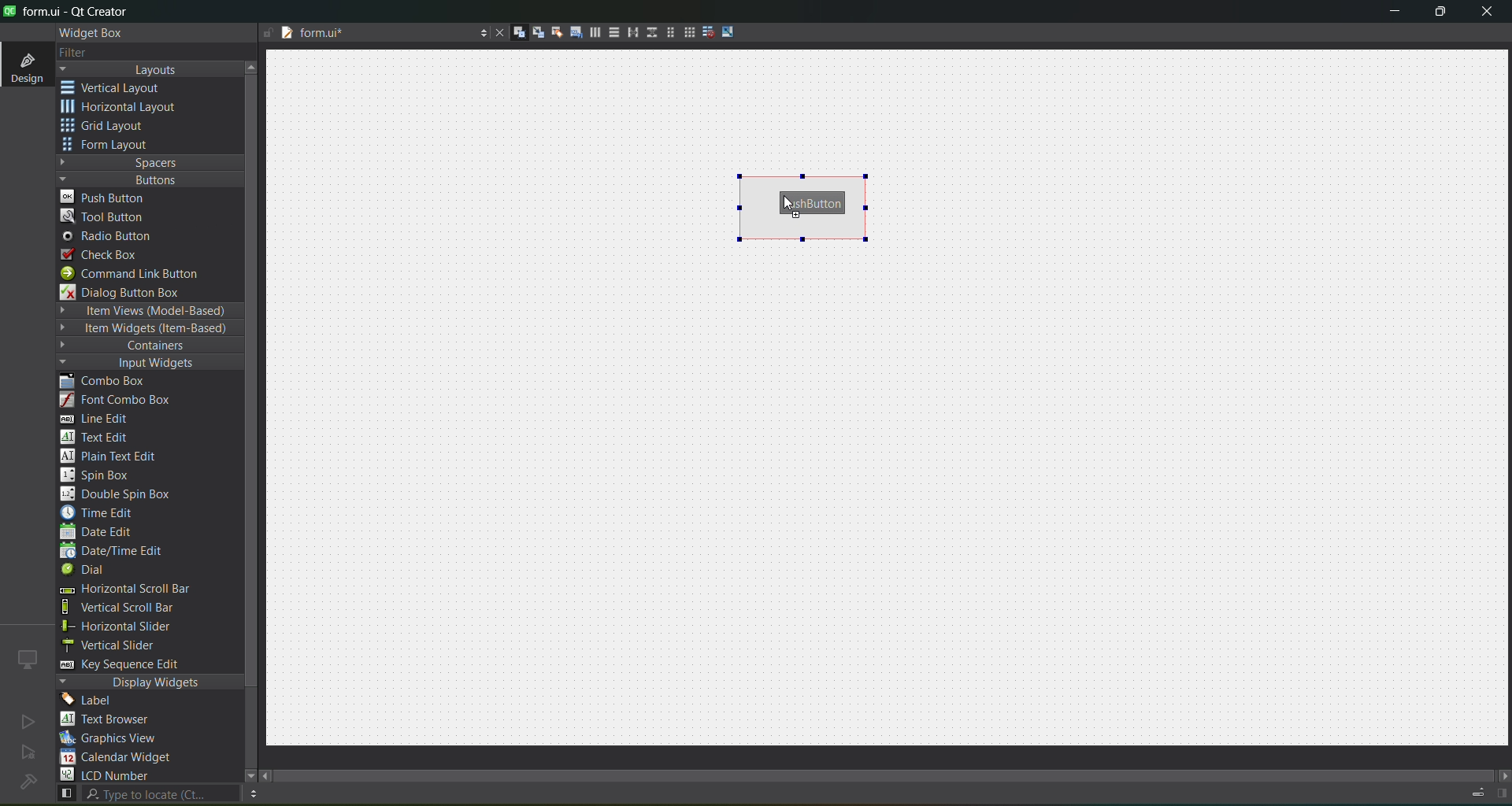 This screenshot has width=1512, height=806. What do you see at coordinates (110, 145) in the screenshot?
I see `form` at bounding box center [110, 145].